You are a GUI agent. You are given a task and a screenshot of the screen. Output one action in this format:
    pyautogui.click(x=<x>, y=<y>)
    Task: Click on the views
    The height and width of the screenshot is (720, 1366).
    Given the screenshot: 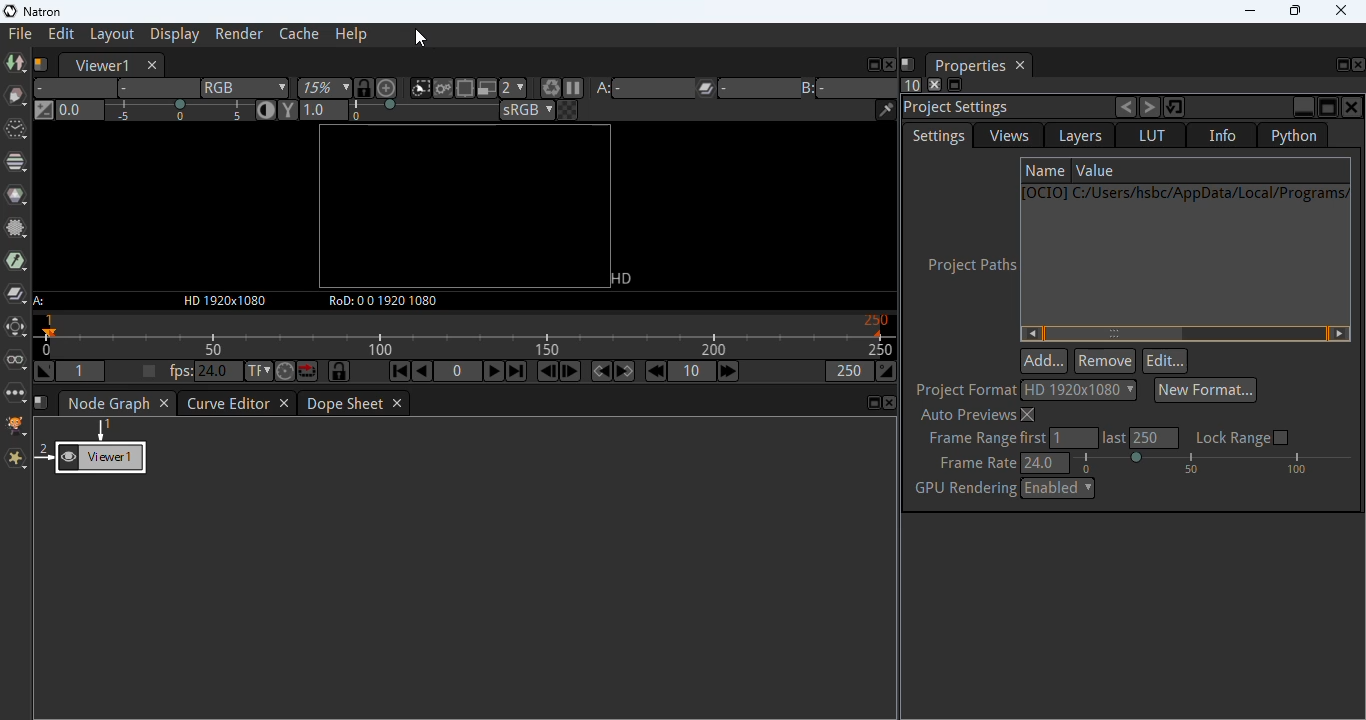 What is the action you would take?
    pyautogui.click(x=1010, y=136)
    